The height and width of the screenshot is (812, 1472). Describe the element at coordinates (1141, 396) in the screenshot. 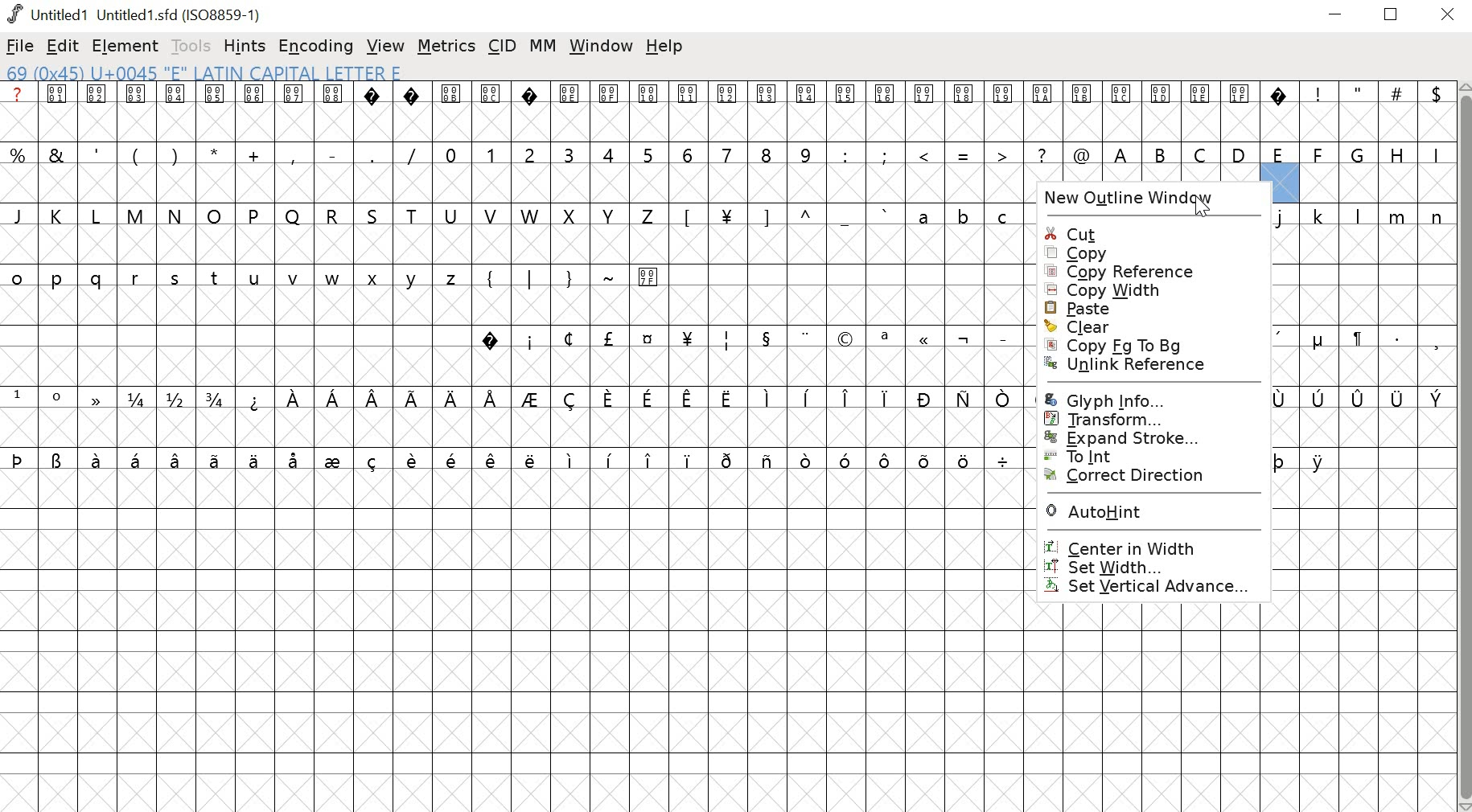

I see `GLYPH INFO` at that location.